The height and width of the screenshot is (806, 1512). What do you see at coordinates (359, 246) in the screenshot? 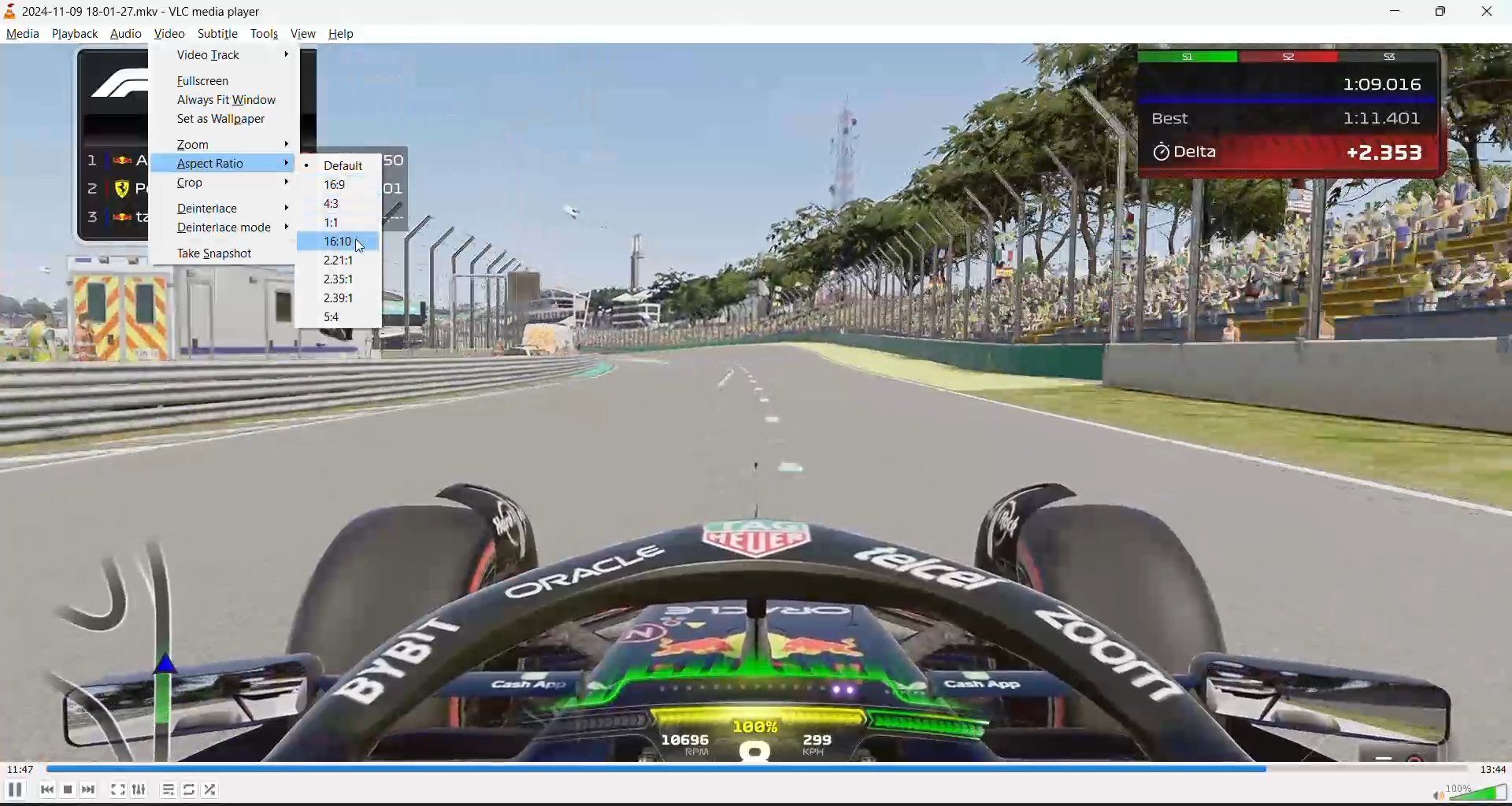
I see `cursor` at bounding box center [359, 246].